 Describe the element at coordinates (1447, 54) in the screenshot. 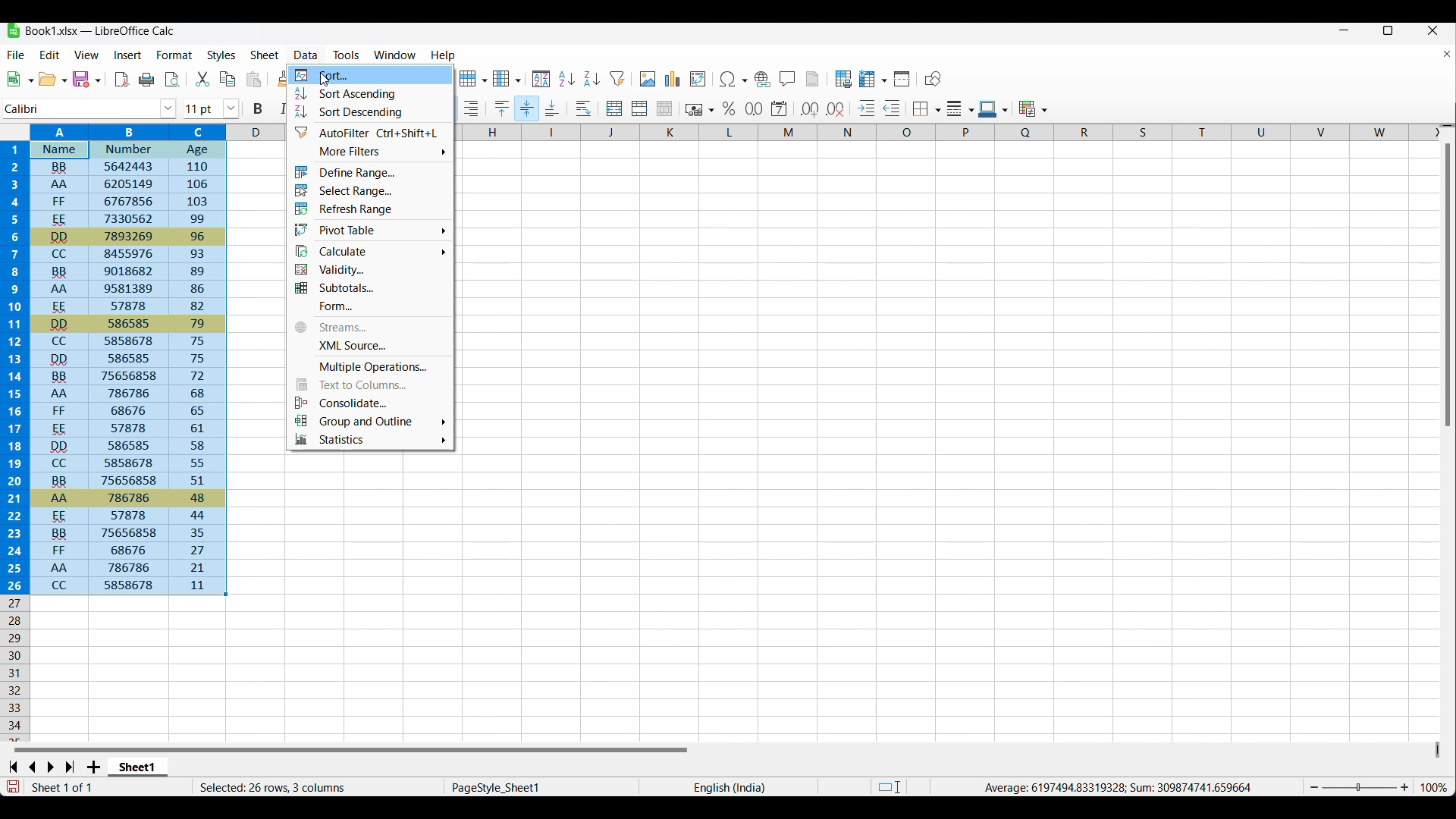

I see `Close document` at that location.